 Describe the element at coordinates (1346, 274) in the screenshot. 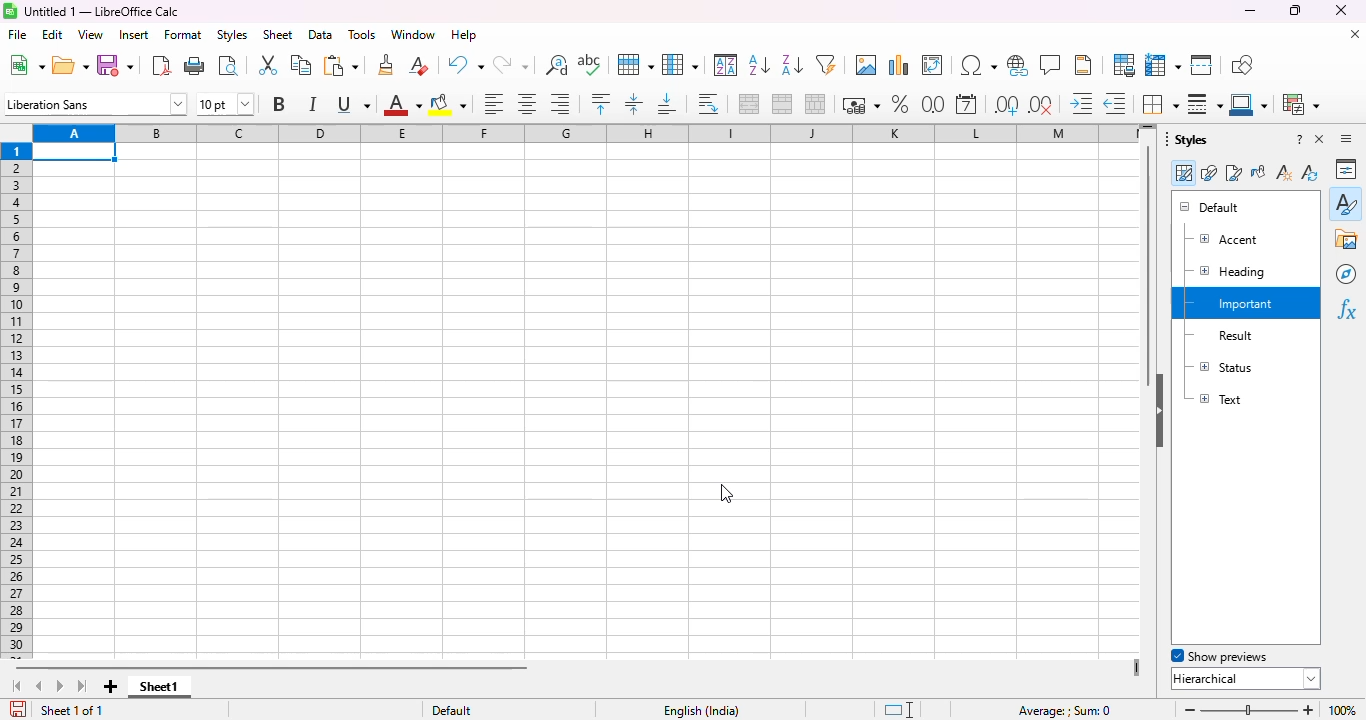

I see `navigator` at that location.